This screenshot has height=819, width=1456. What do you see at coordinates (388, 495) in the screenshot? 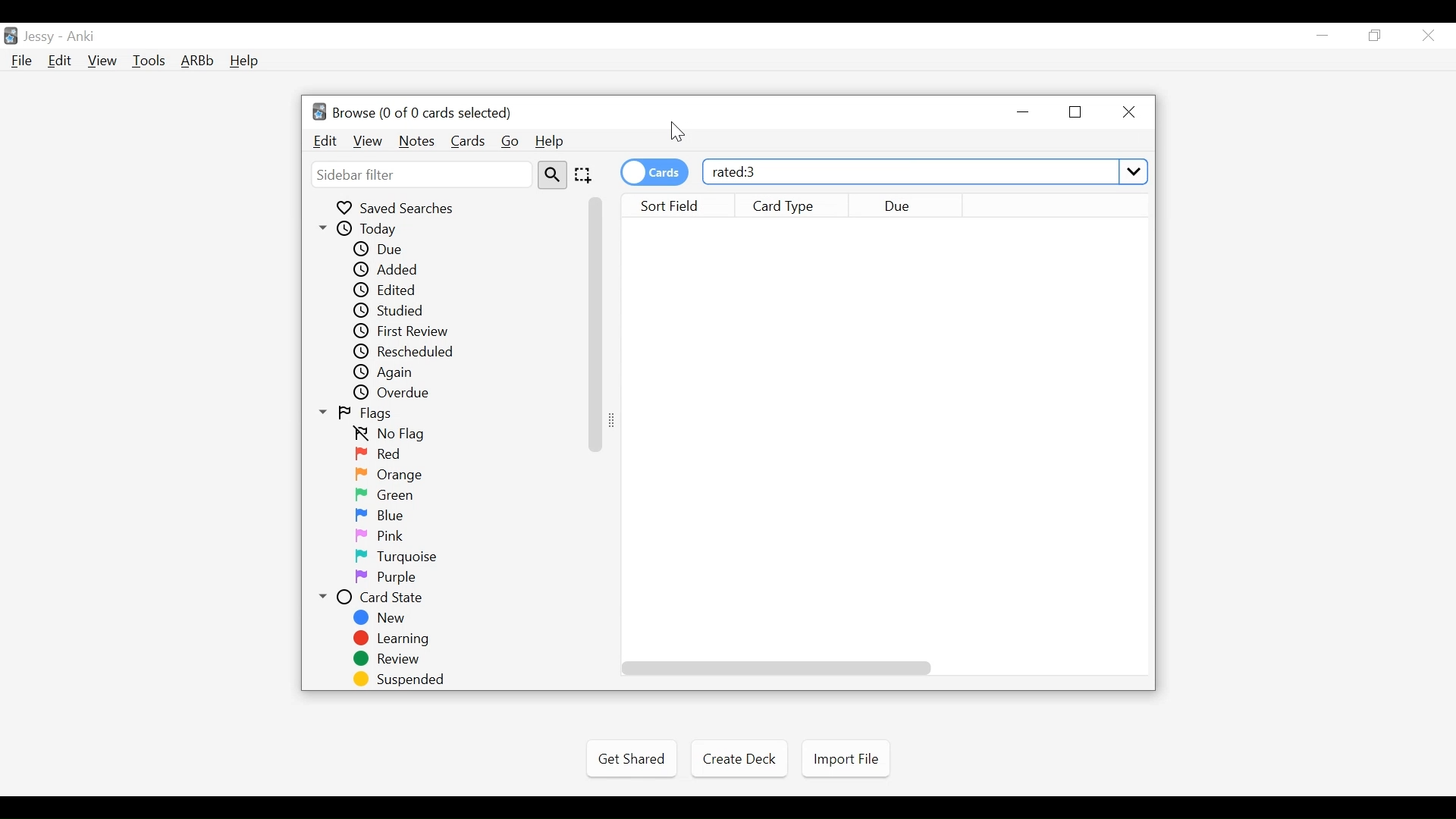
I see `Green` at bounding box center [388, 495].